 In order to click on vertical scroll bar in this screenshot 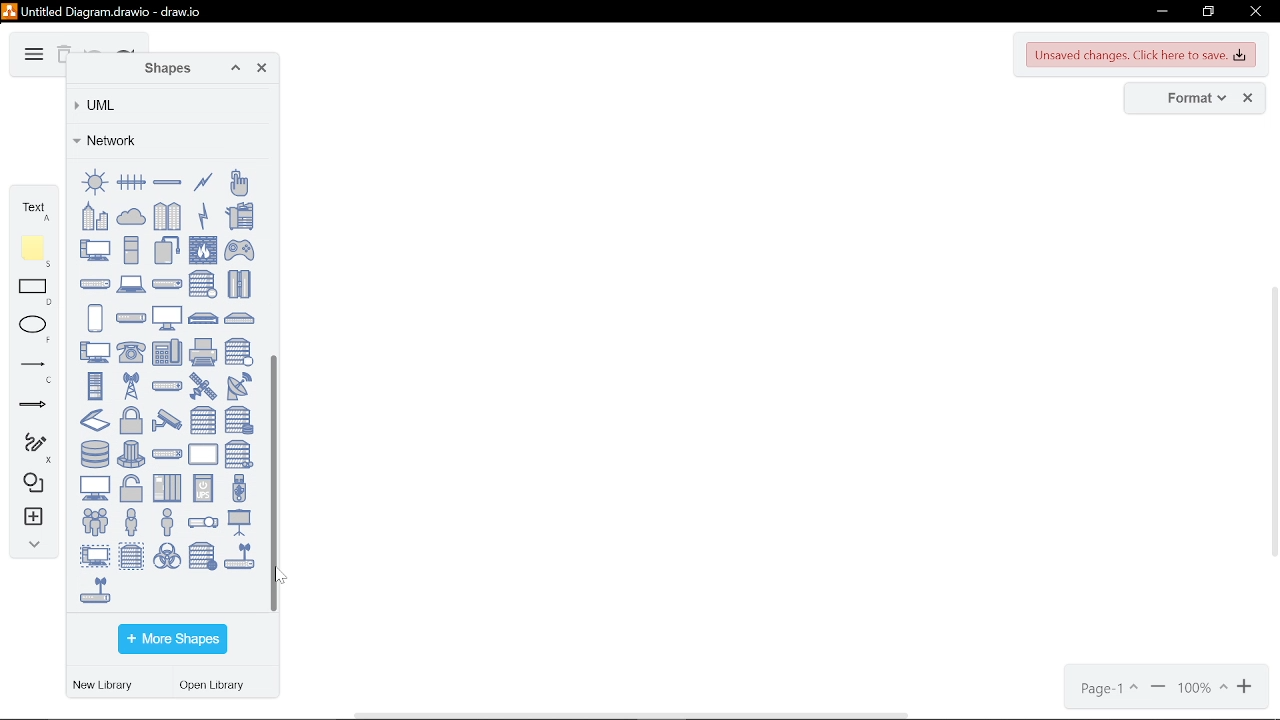, I will do `click(1272, 424)`.